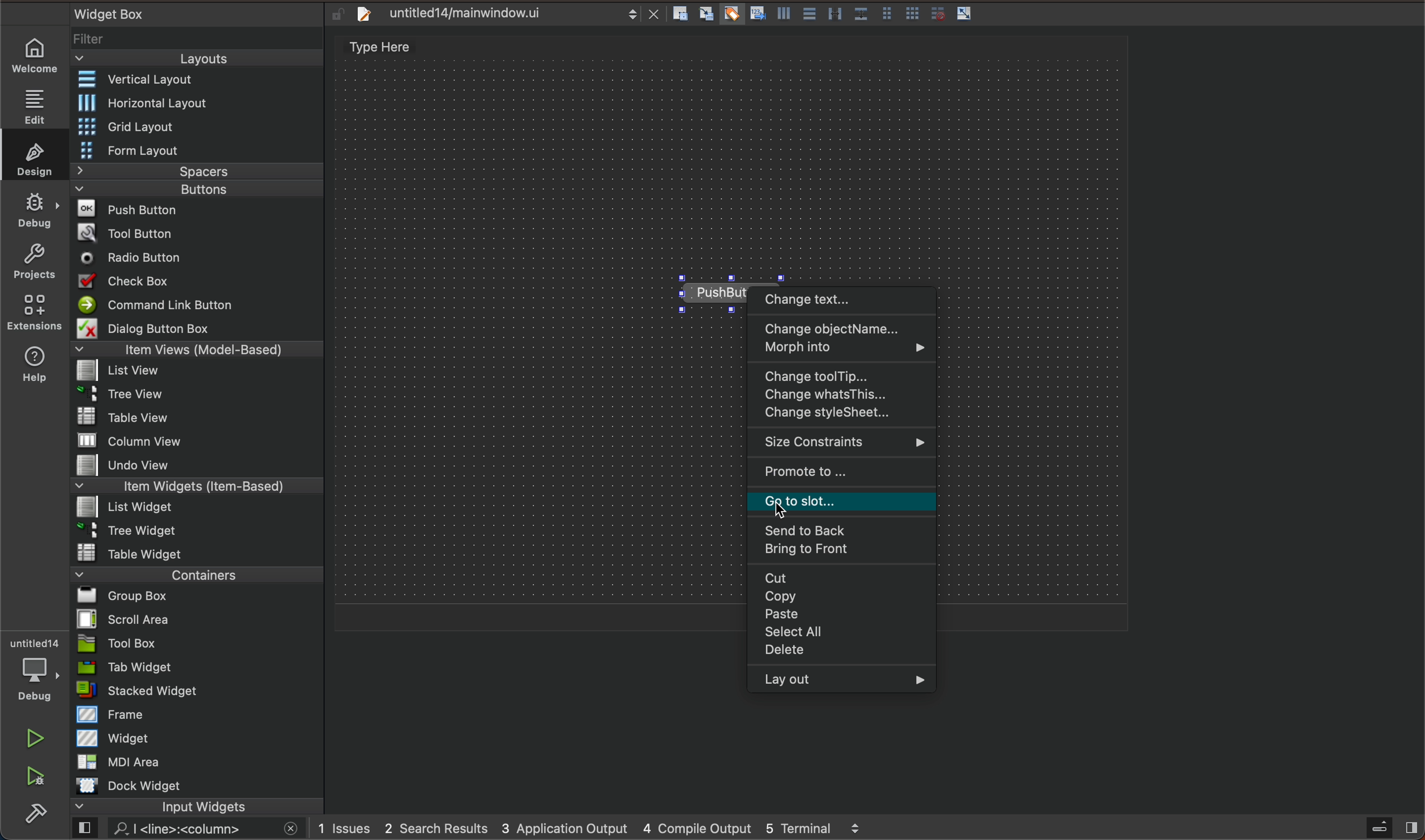  What do you see at coordinates (842, 578) in the screenshot?
I see `cut` at bounding box center [842, 578].